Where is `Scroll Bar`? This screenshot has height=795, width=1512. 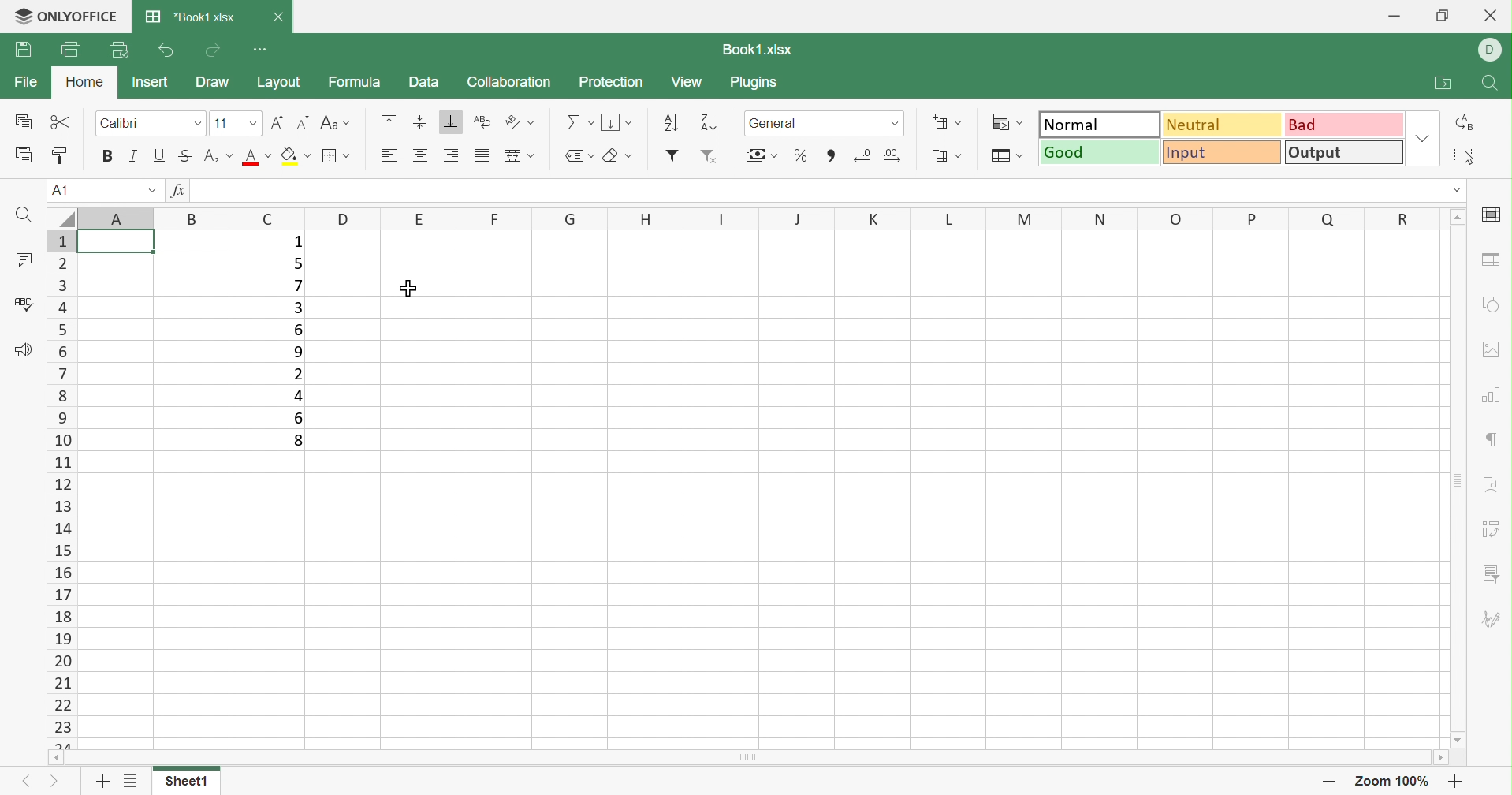
Scroll Bar is located at coordinates (749, 757).